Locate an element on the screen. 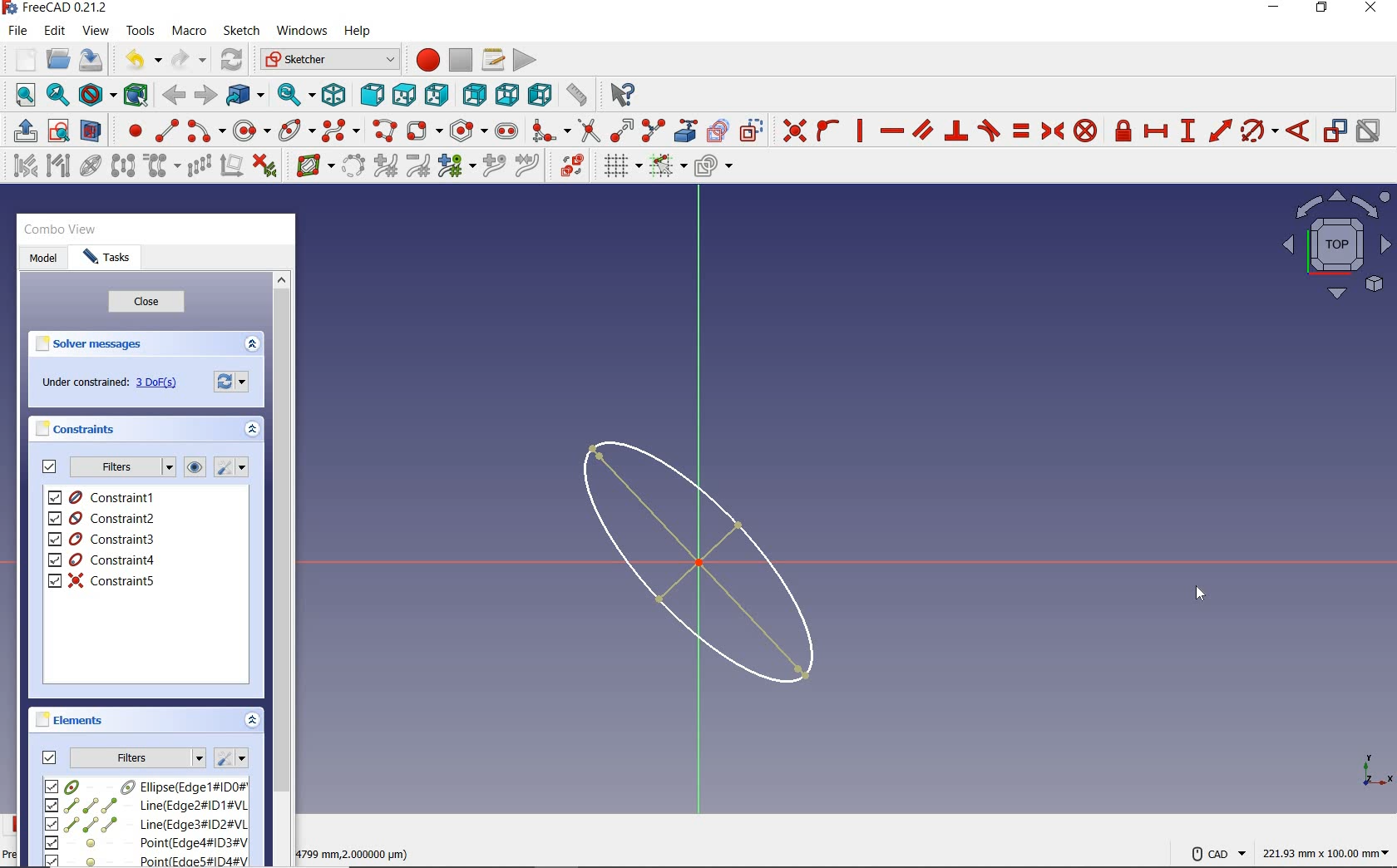  constraint5 is located at coordinates (102, 580).